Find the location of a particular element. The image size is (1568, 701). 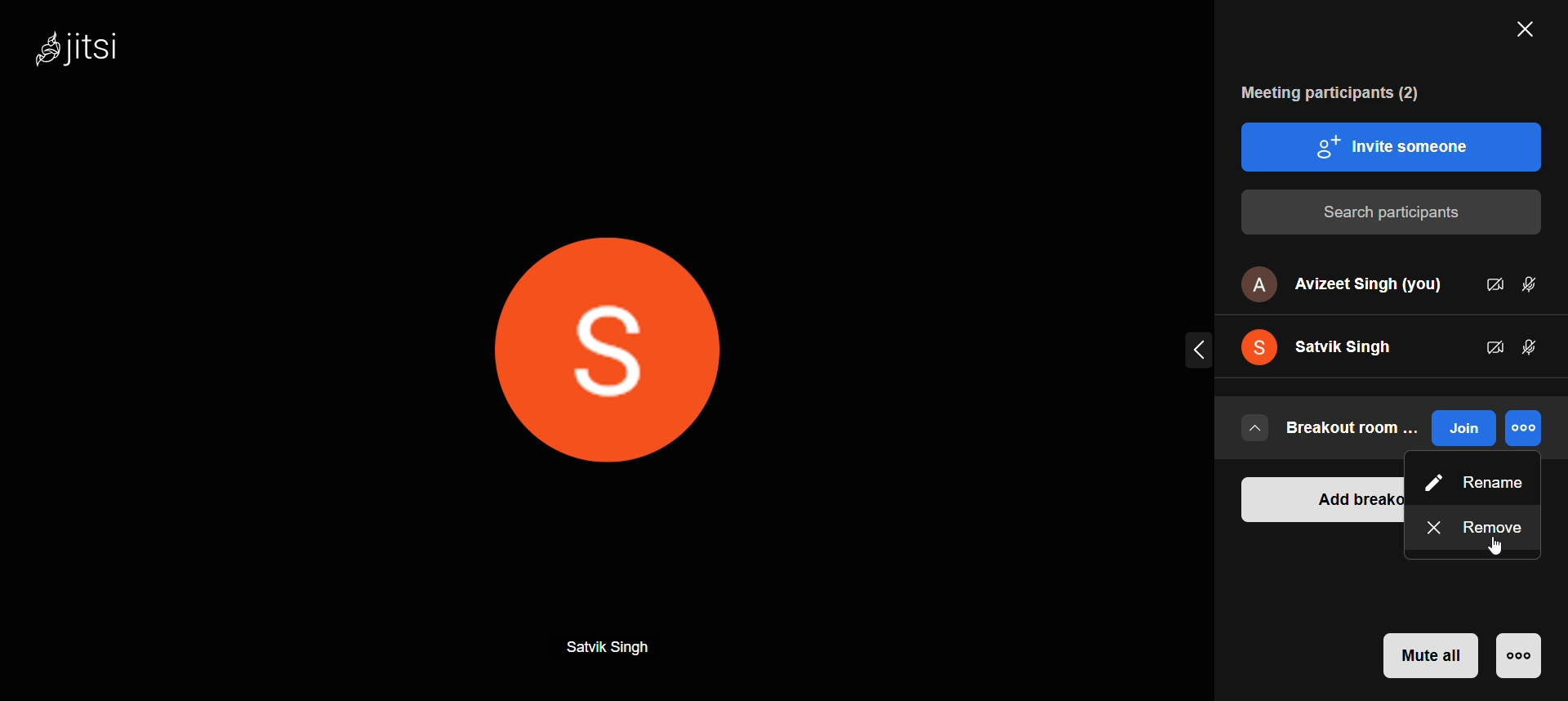

Rename option is located at coordinates (1470, 480).